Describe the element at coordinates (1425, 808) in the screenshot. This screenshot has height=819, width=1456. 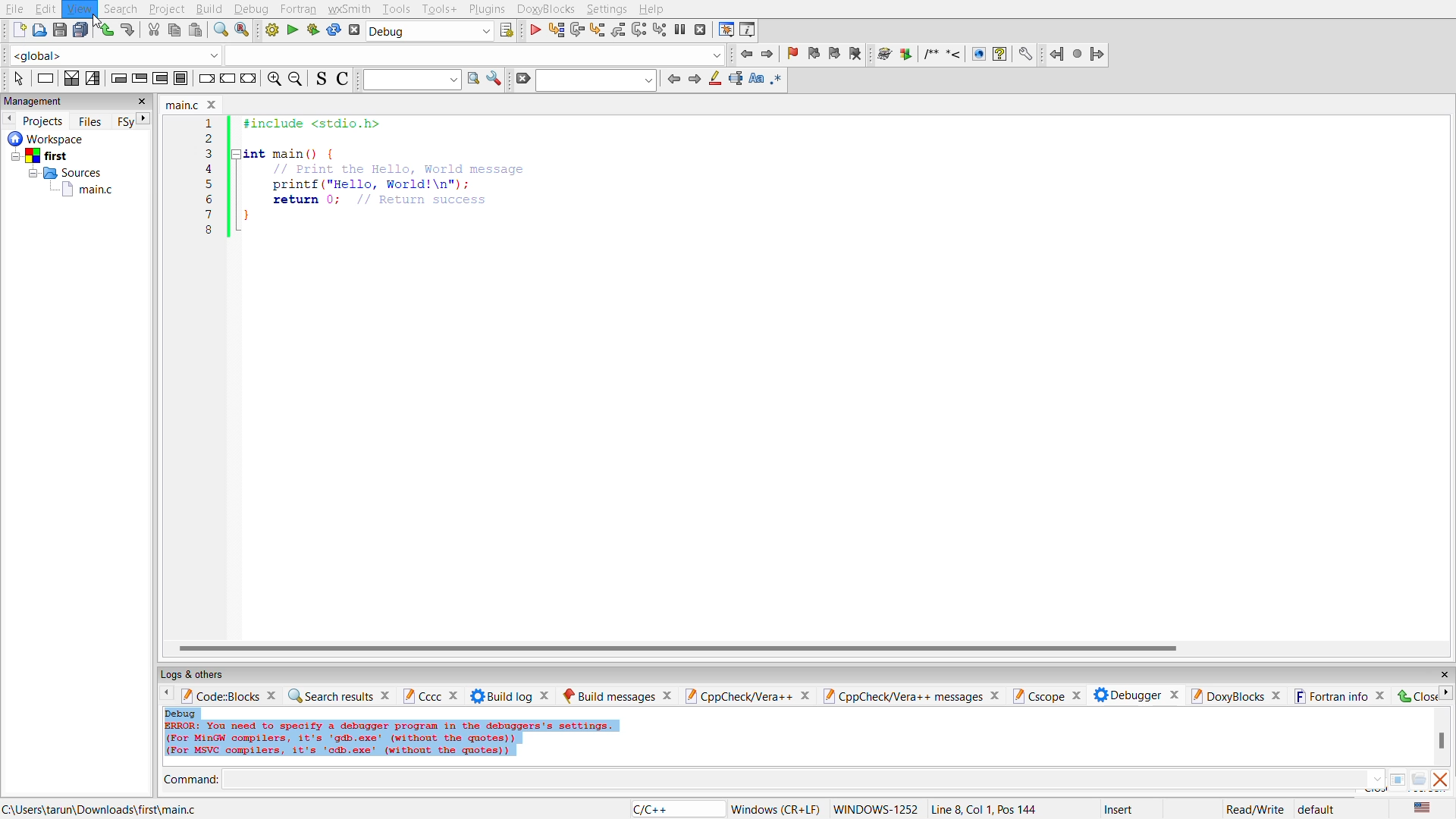
I see `text language` at that location.